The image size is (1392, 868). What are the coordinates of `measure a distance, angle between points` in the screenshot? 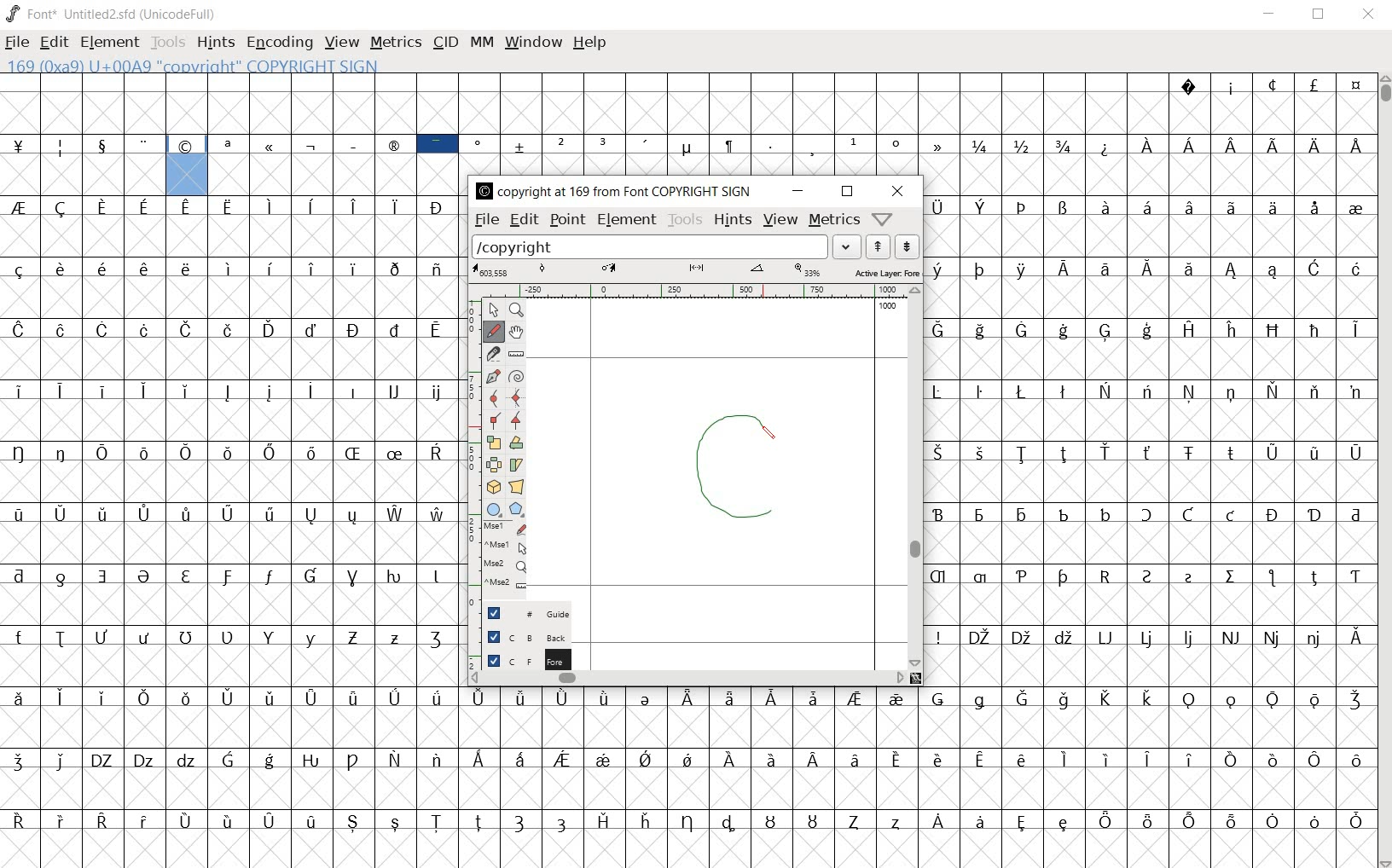 It's located at (516, 355).